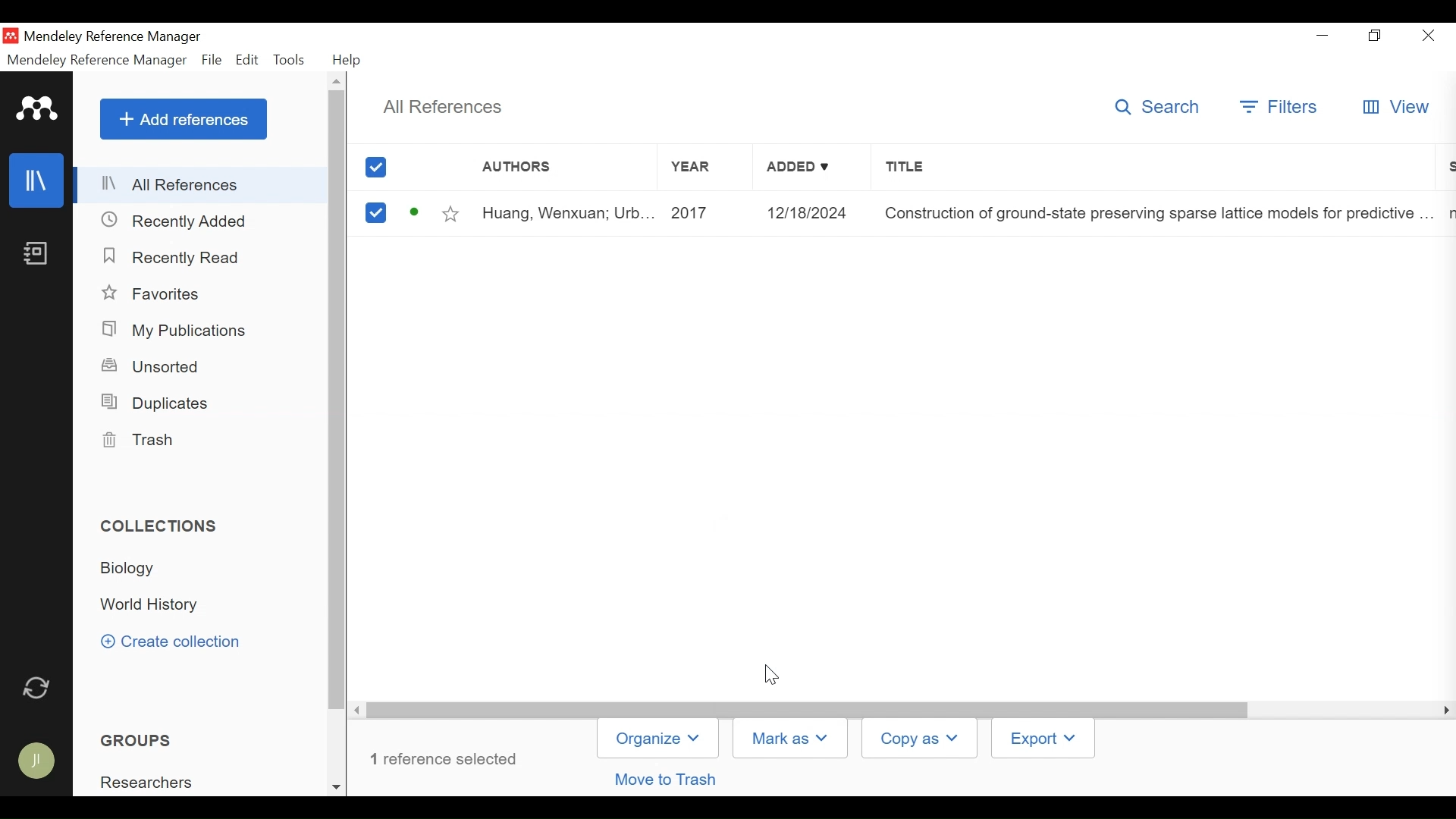 The image size is (1456, 819). Describe the element at coordinates (160, 526) in the screenshot. I see `Collections` at that location.